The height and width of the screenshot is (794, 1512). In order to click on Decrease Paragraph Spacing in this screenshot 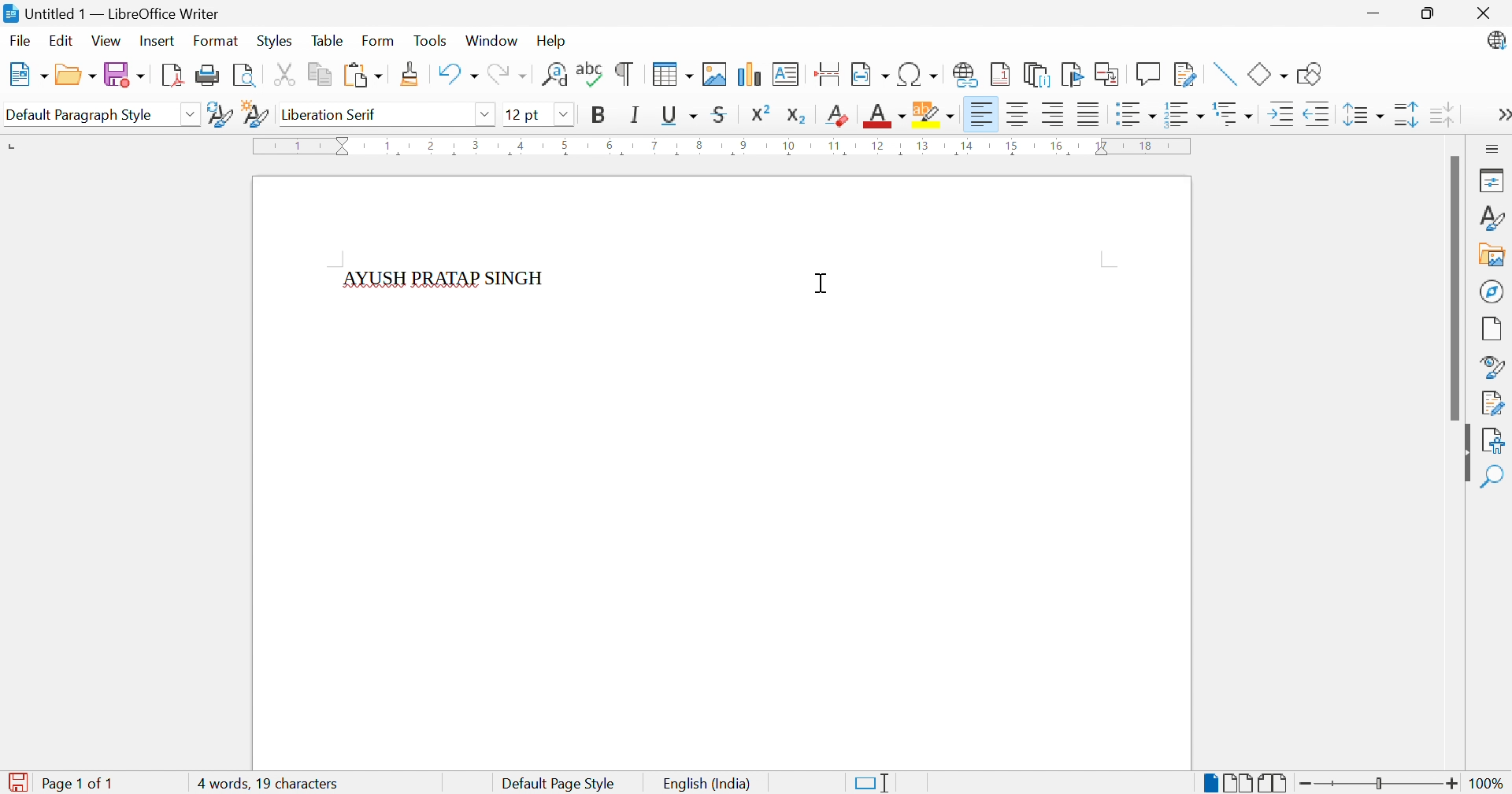, I will do `click(1440, 113)`.